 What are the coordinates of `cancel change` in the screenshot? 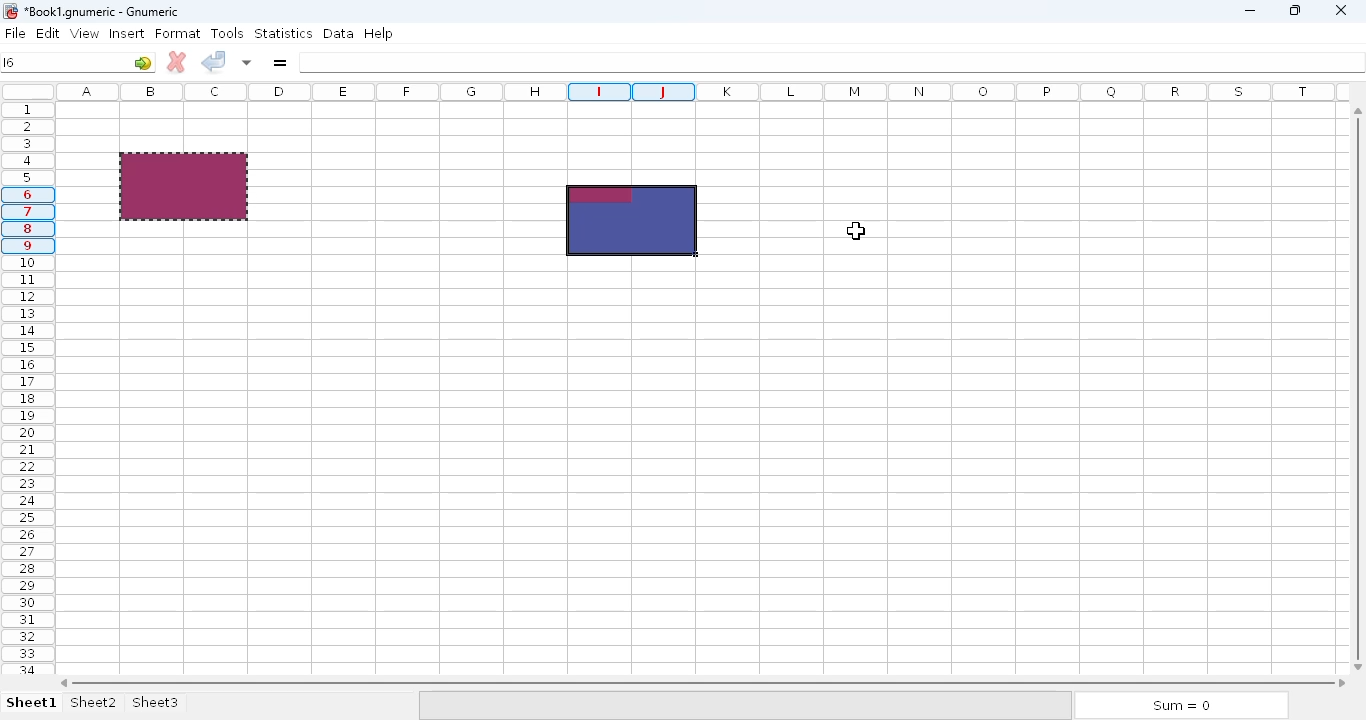 It's located at (176, 62).